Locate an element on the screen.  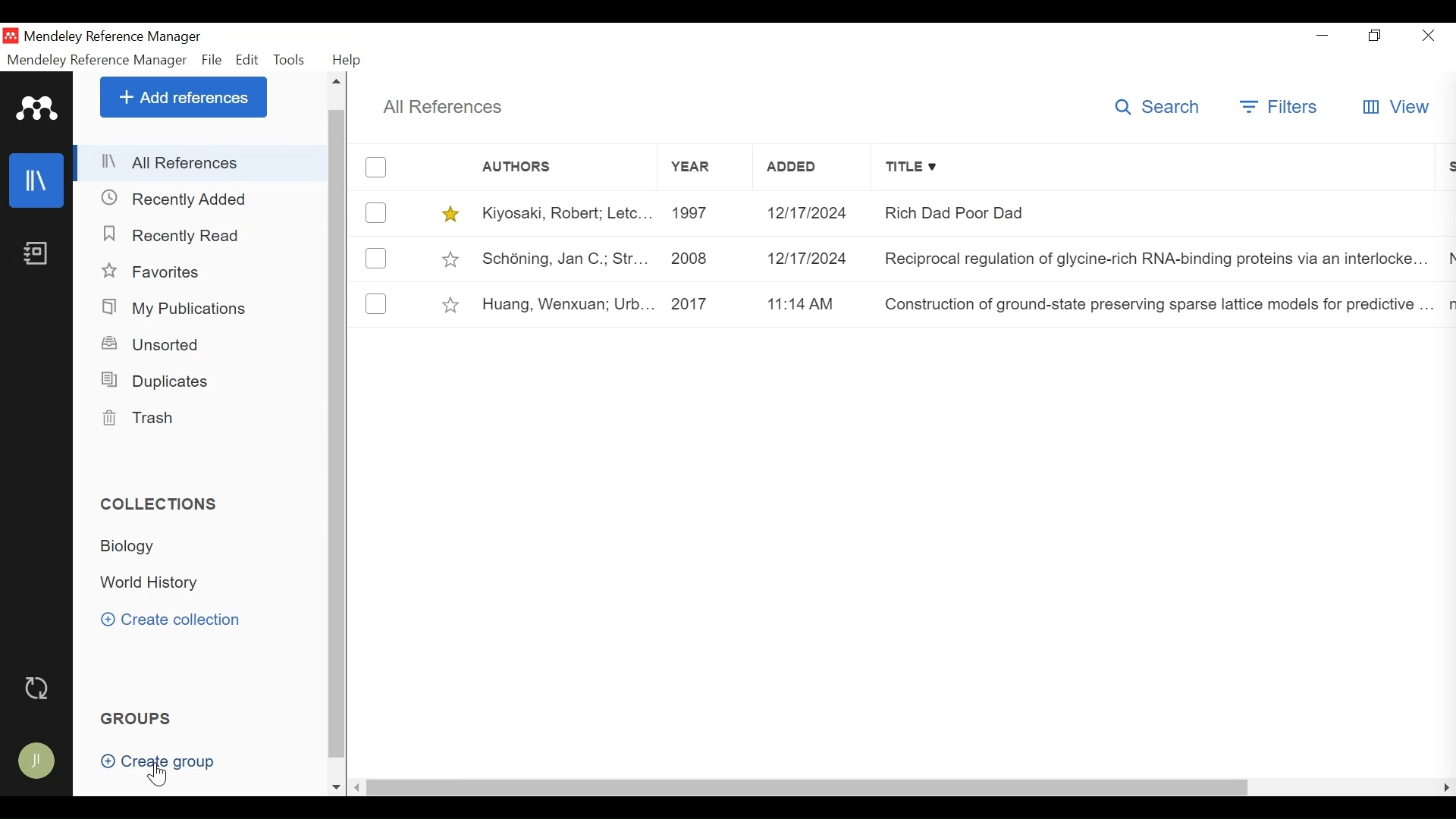
Huang, Wenxuan; Urb is located at coordinates (566, 303).